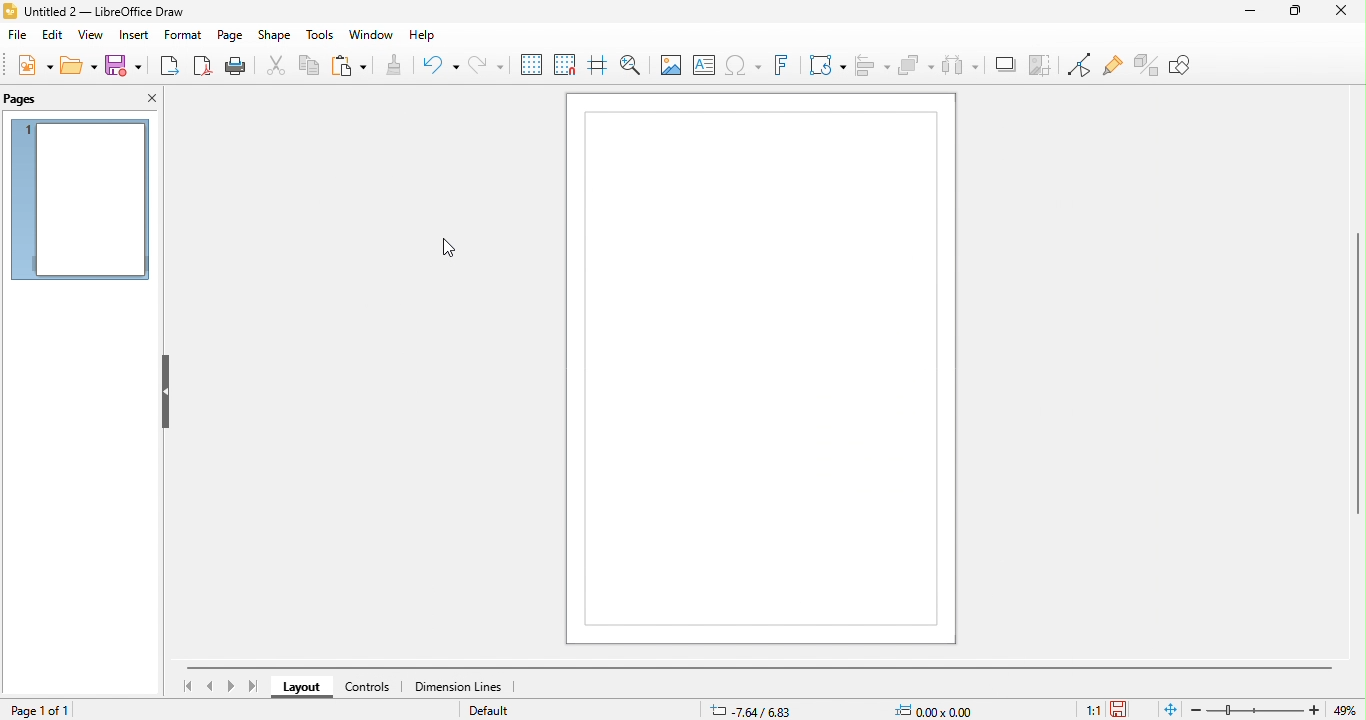 This screenshot has width=1366, height=720. I want to click on image, so click(670, 66).